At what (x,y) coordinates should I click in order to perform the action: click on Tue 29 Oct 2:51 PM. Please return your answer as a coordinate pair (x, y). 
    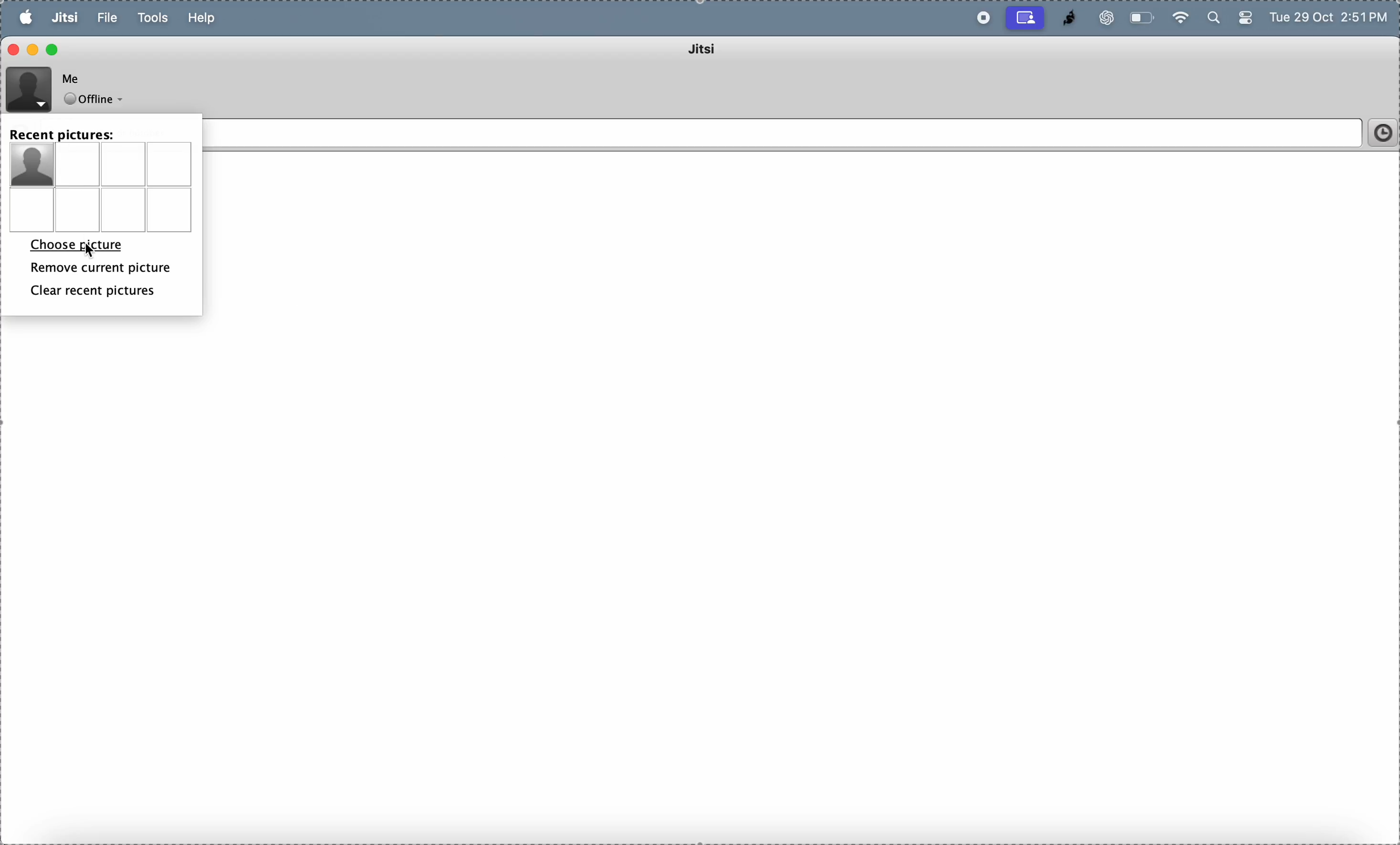
    Looking at the image, I should click on (1331, 19).